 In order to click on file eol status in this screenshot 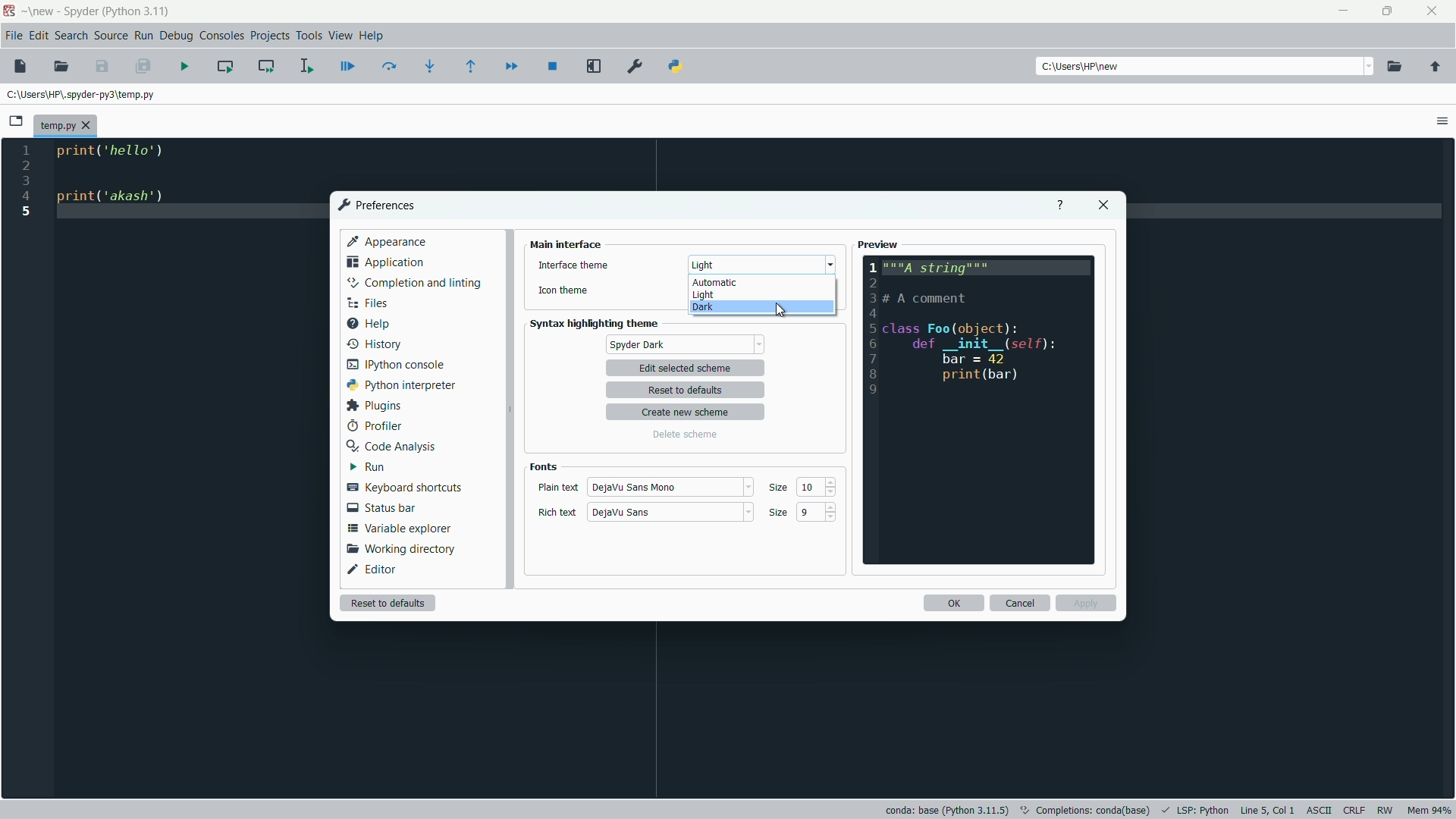, I will do `click(1353, 811)`.